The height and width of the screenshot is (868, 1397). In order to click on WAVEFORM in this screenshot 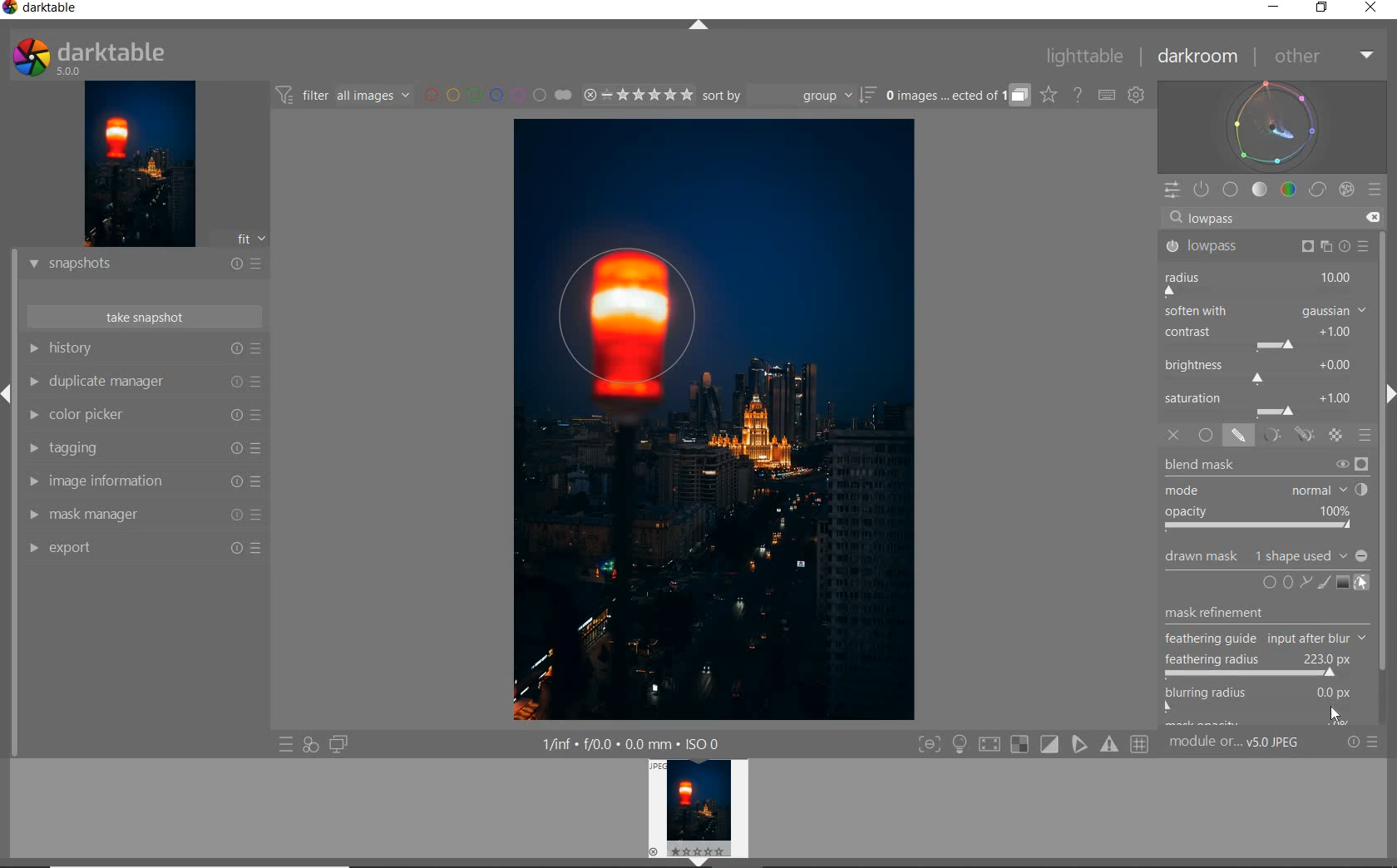, I will do `click(1275, 126)`.